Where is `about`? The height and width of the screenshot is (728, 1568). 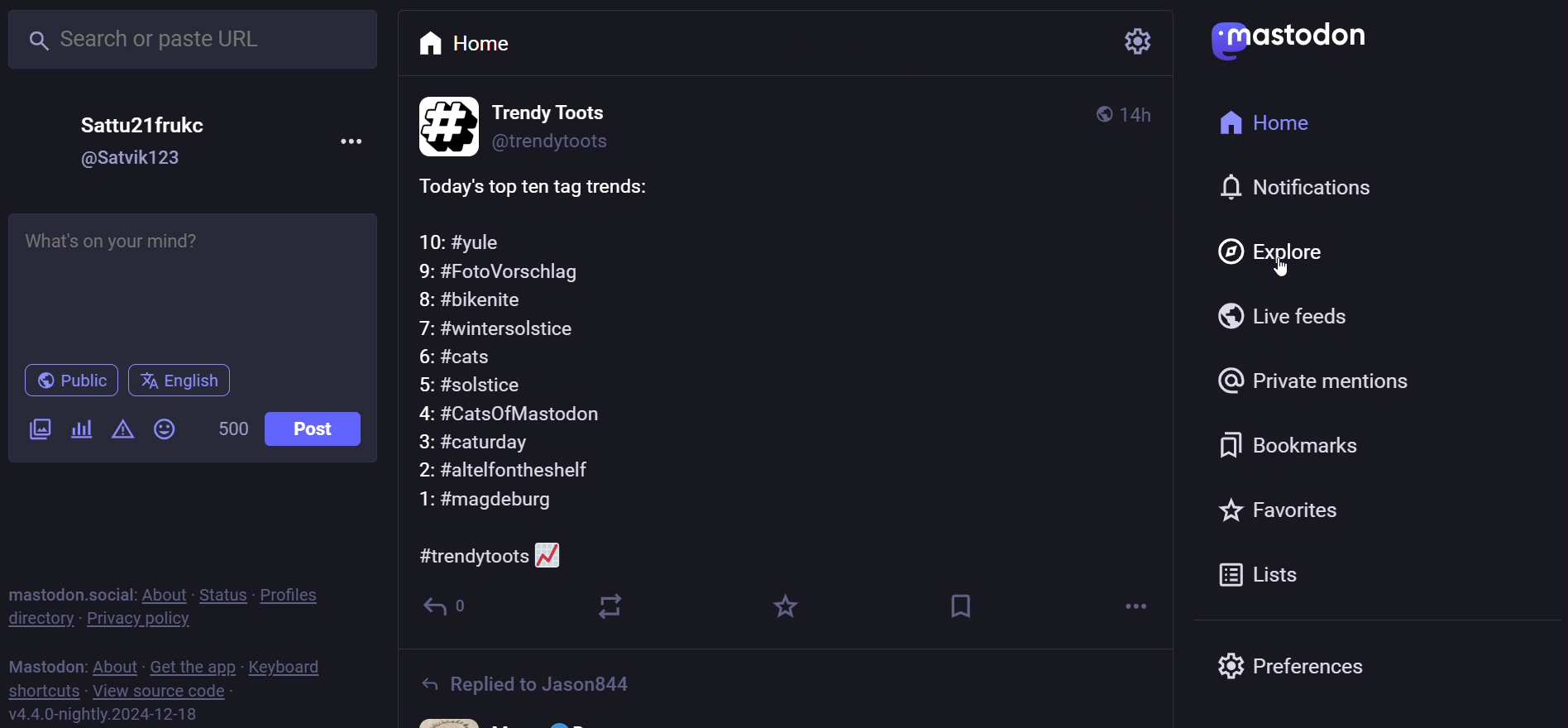
about is located at coordinates (163, 594).